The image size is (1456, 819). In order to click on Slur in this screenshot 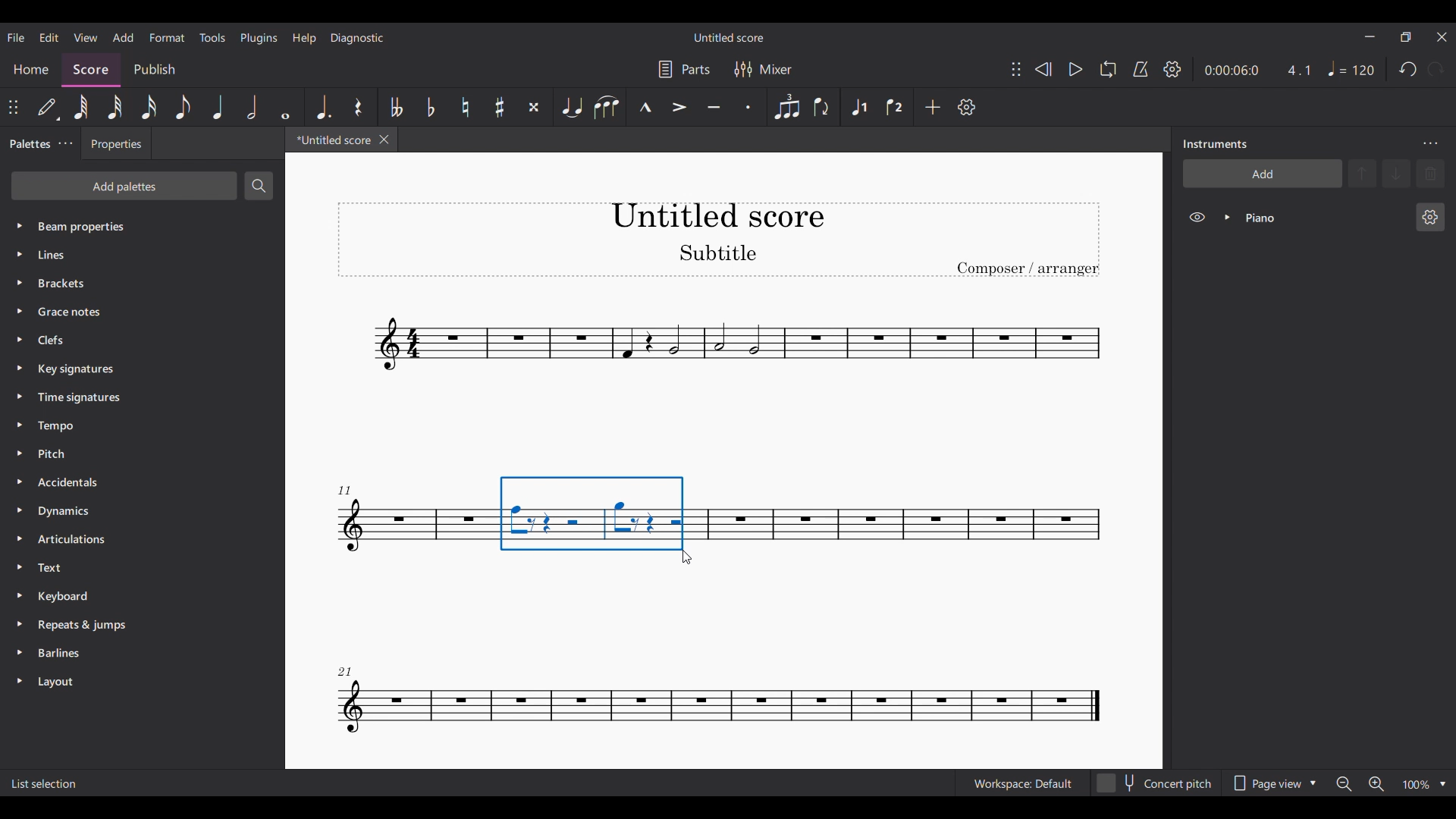, I will do `click(608, 107)`.